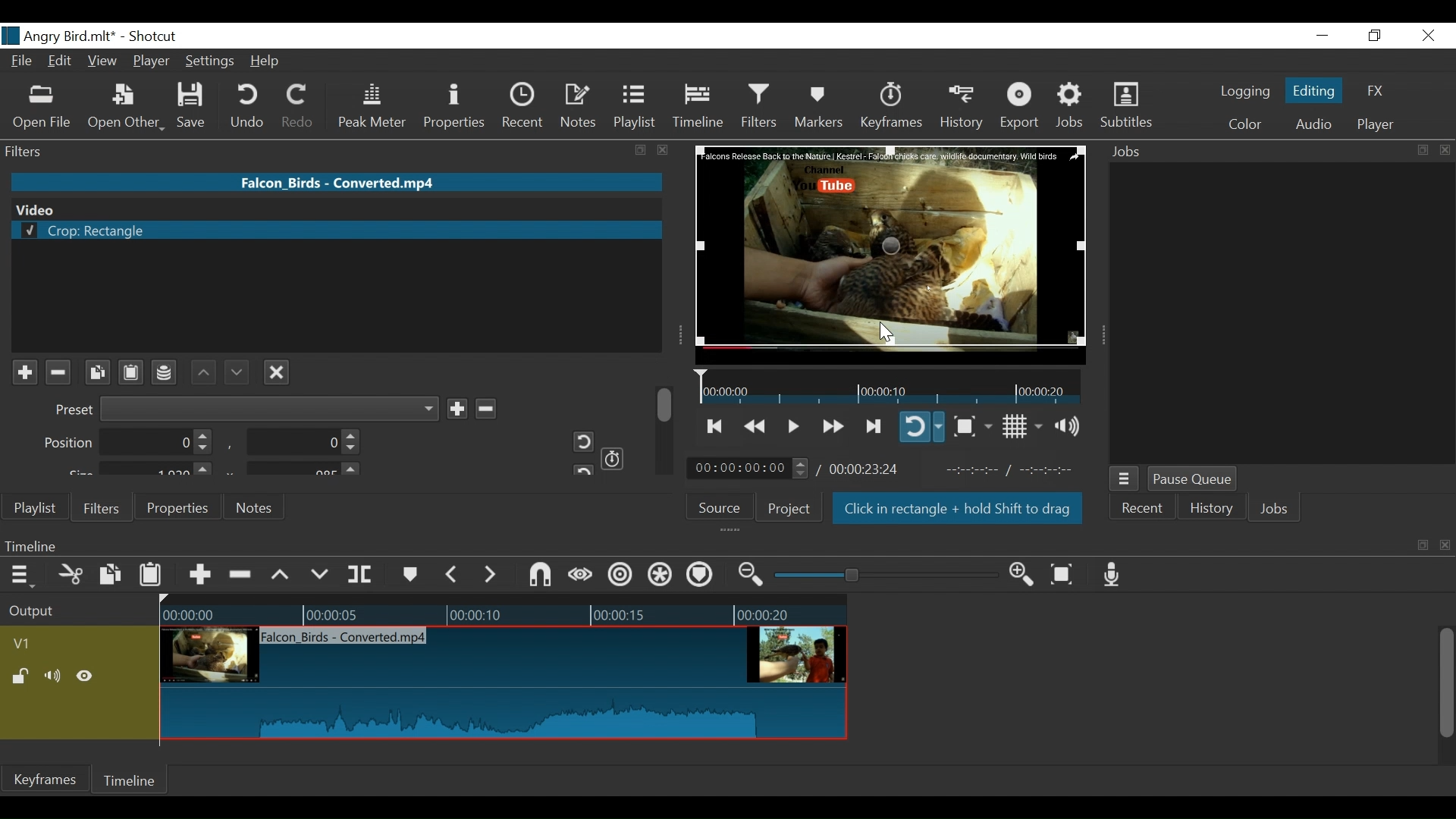 The height and width of the screenshot is (819, 1456). What do you see at coordinates (308, 150) in the screenshot?
I see `filters` at bounding box center [308, 150].